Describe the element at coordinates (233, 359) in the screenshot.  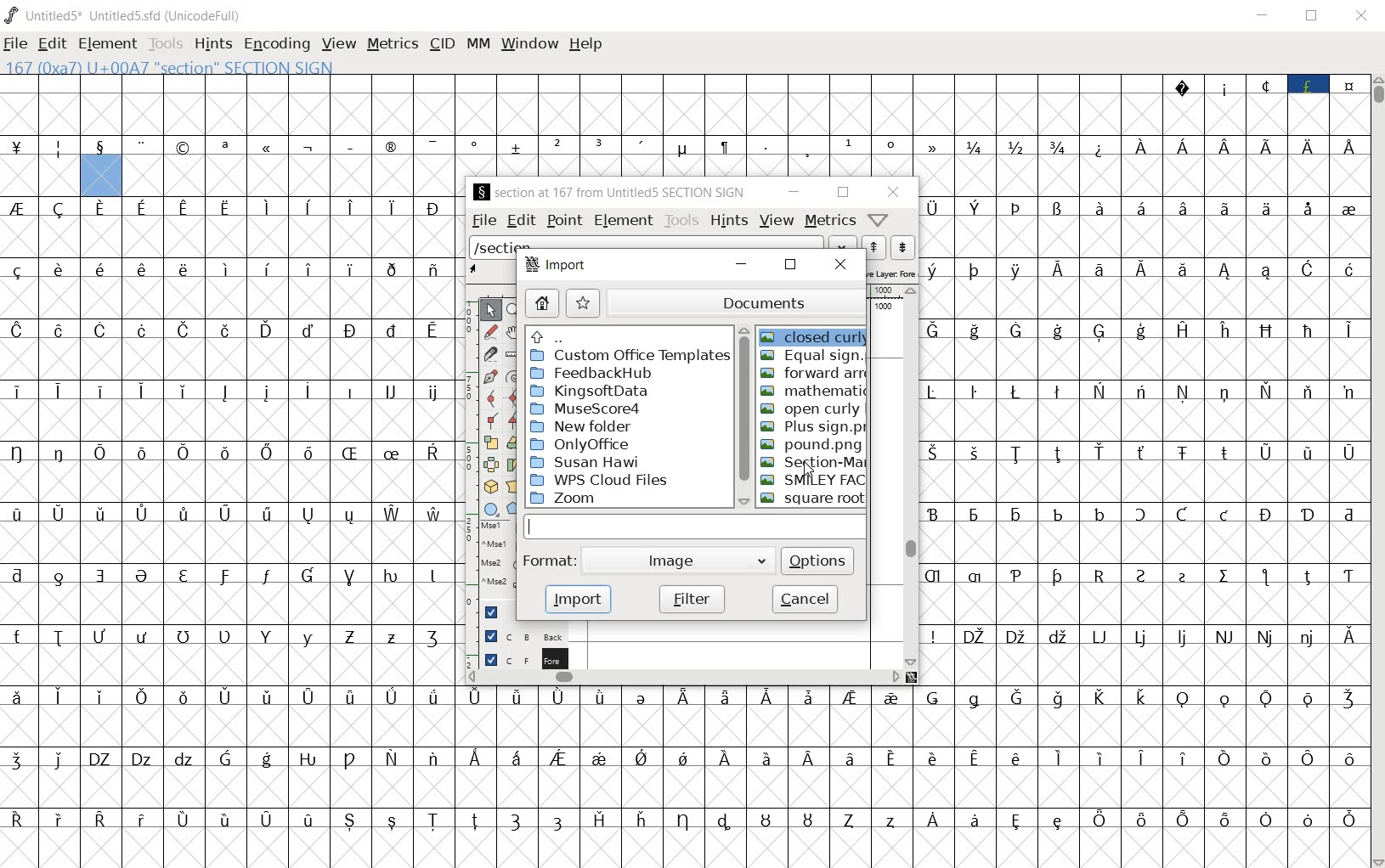
I see `empty cells` at that location.